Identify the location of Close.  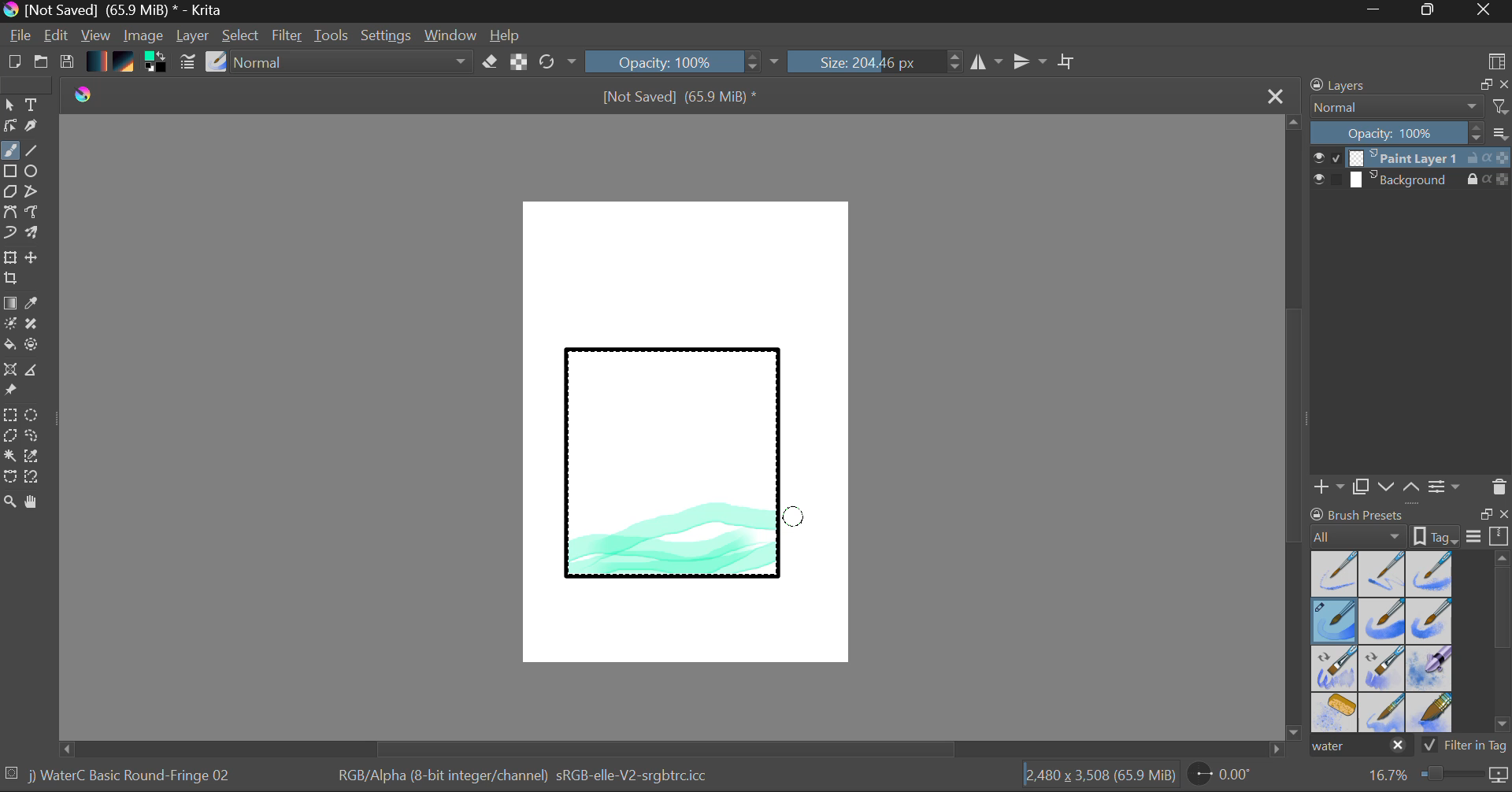
(1277, 95).